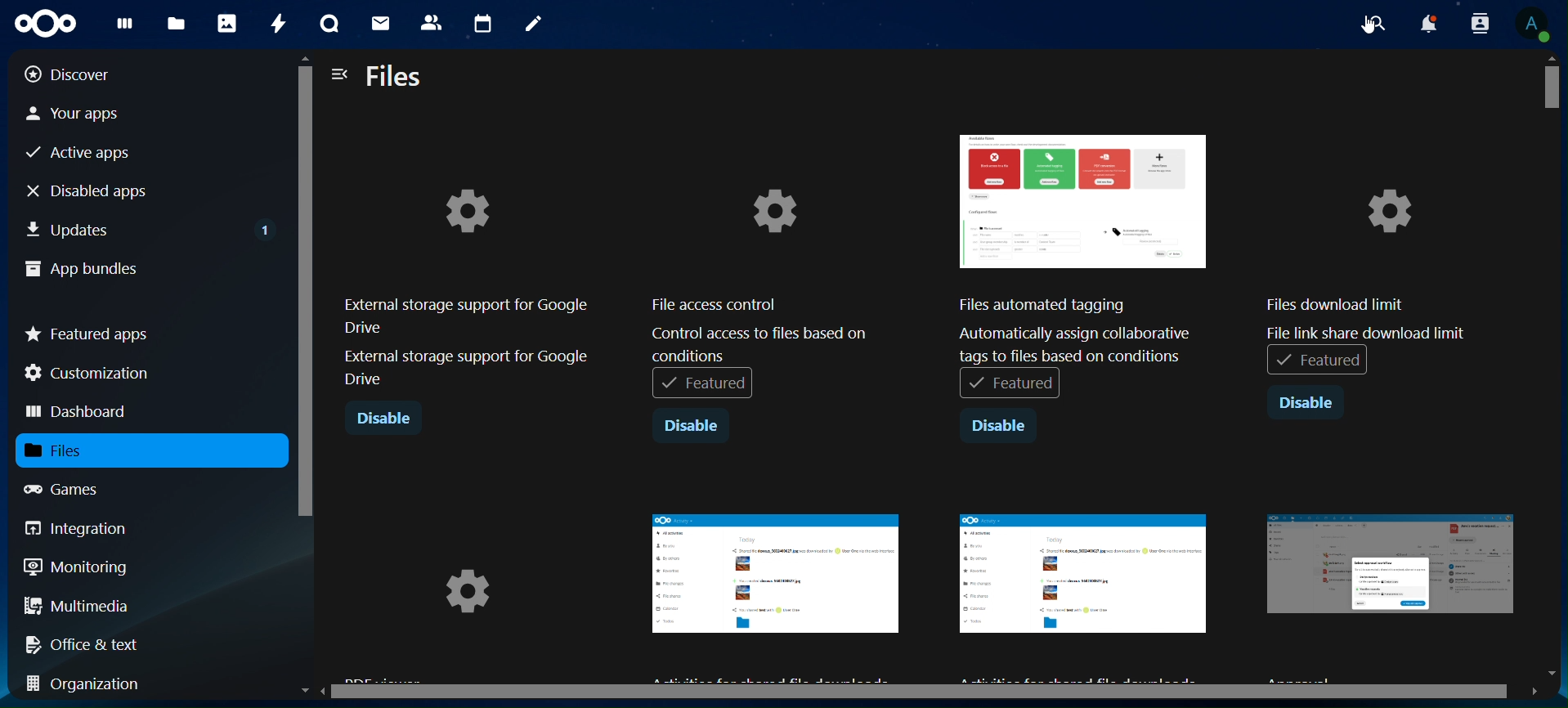  What do you see at coordinates (52, 24) in the screenshot?
I see `icon` at bounding box center [52, 24].